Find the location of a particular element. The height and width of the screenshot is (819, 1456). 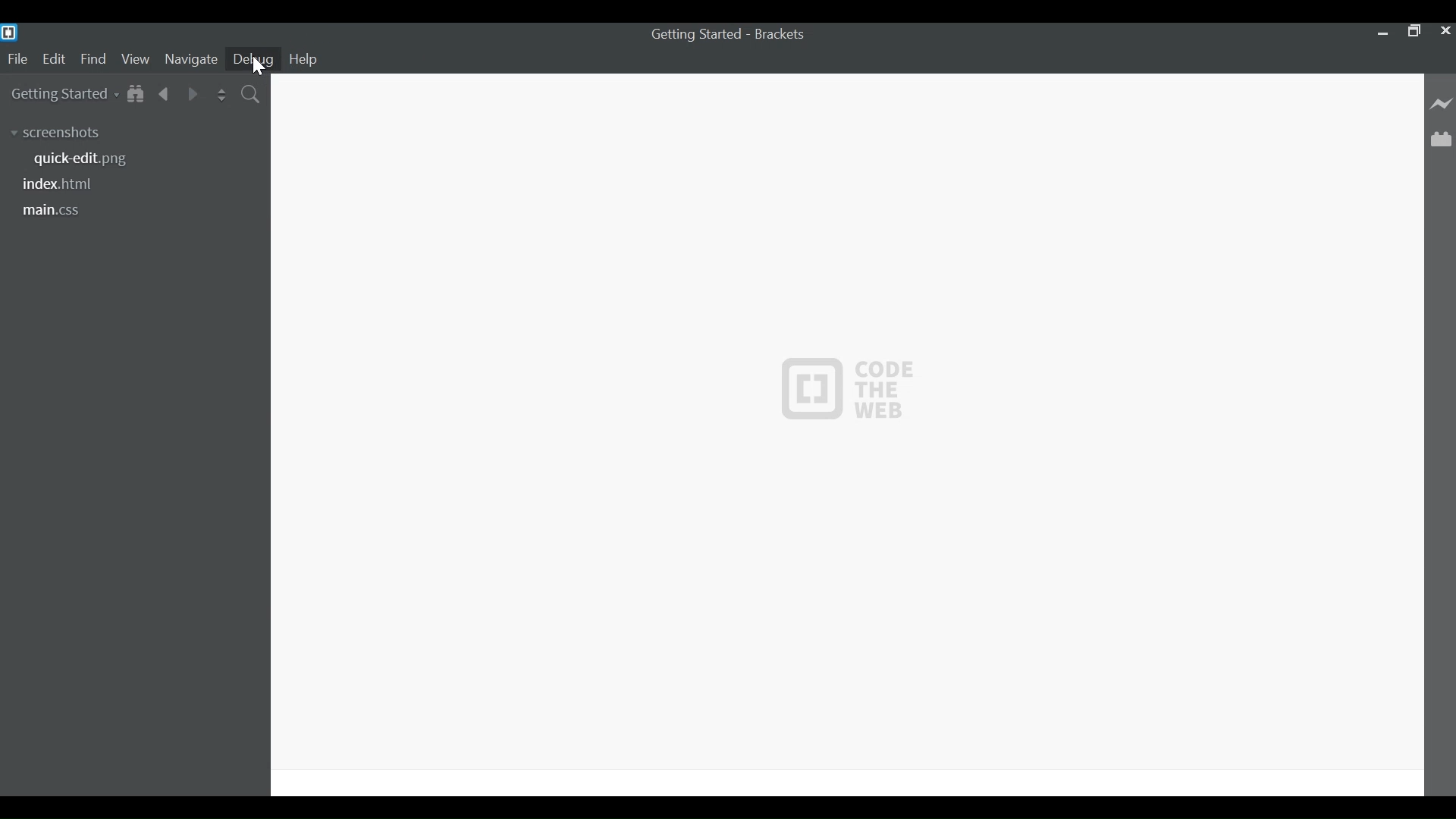

Find is located at coordinates (93, 58).